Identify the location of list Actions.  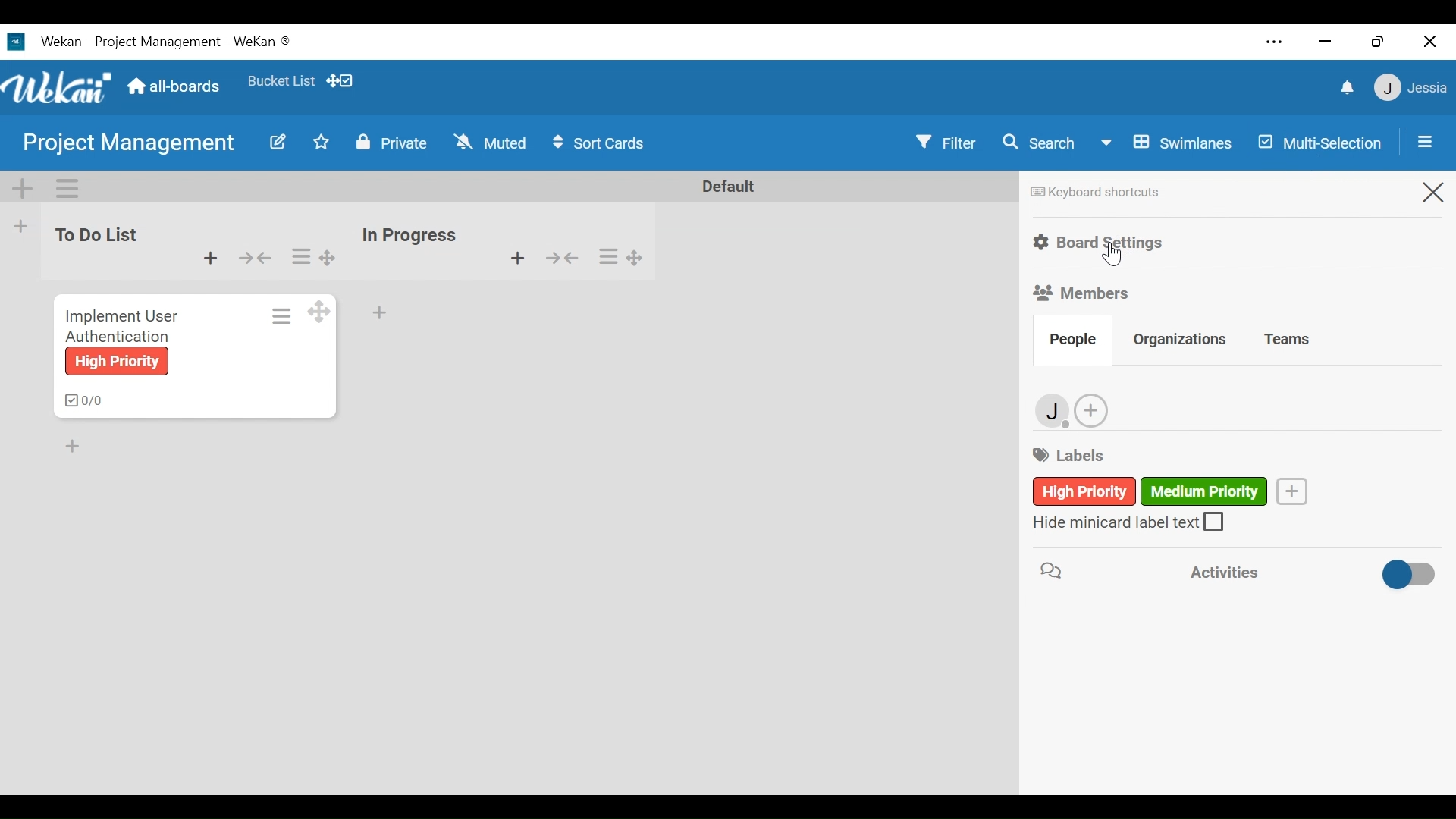
(609, 255).